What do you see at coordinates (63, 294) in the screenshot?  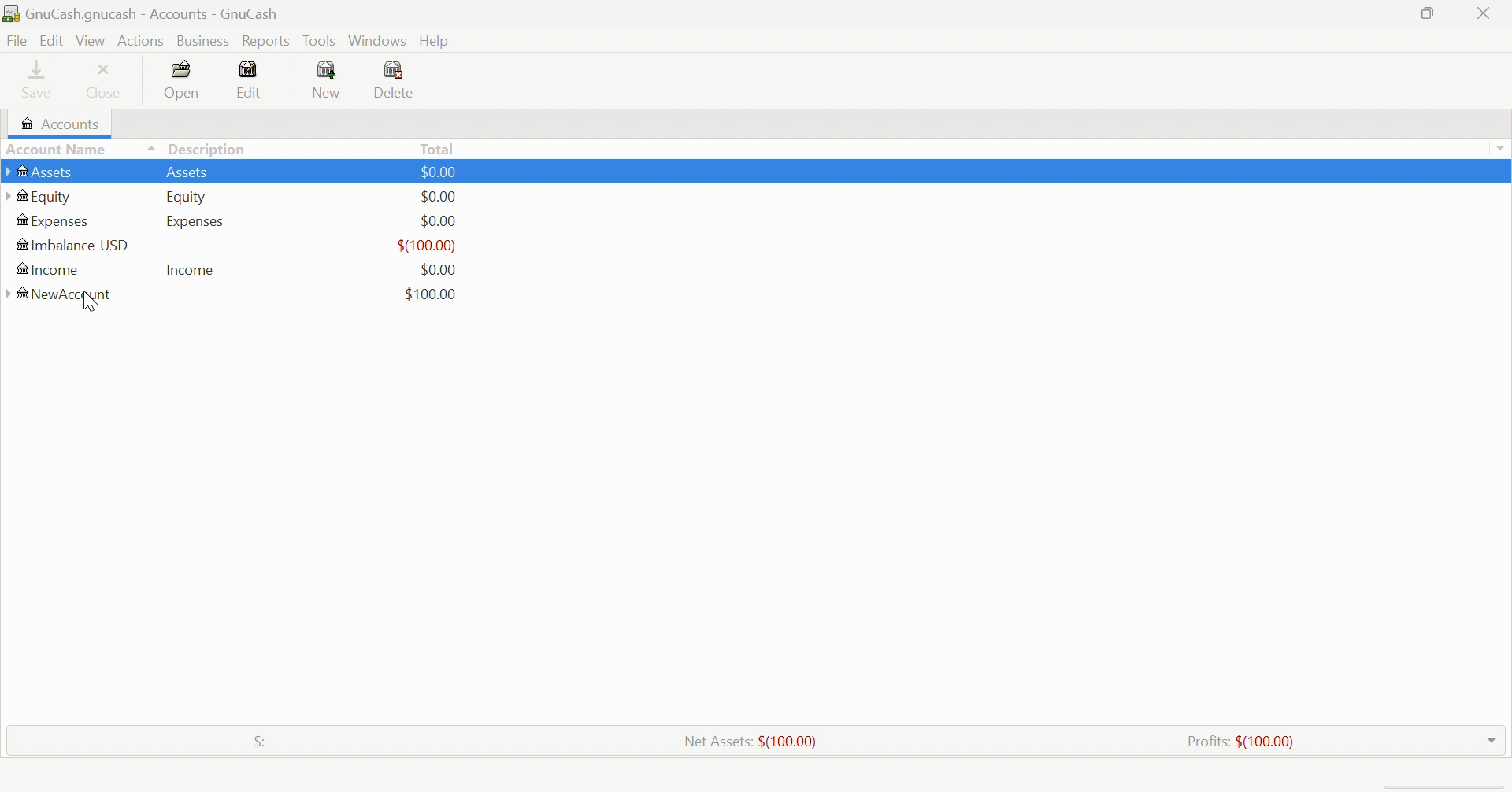 I see `NewAccount` at bounding box center [63, 294].